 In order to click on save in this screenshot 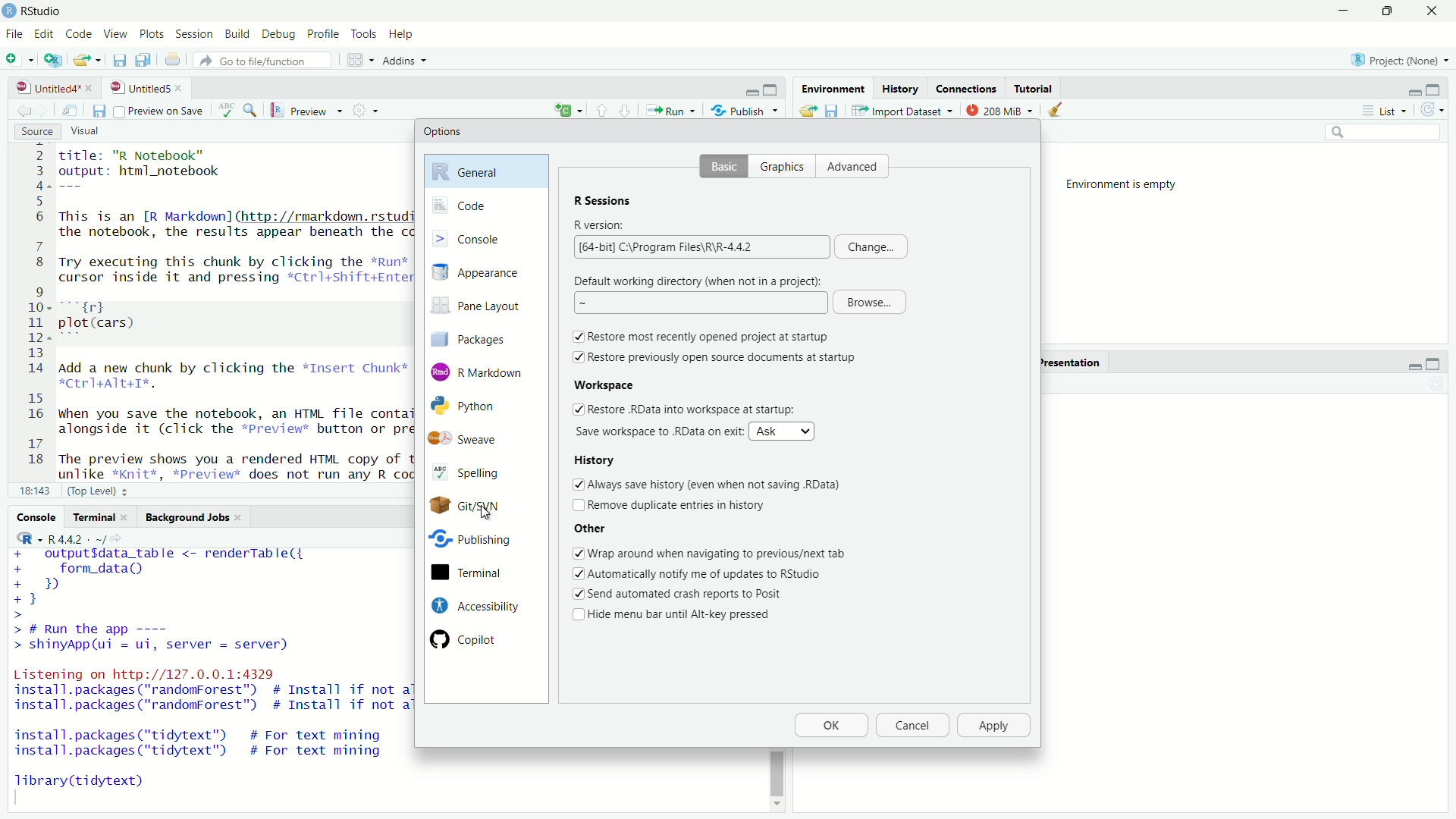, I will do `click(98, 111)`.